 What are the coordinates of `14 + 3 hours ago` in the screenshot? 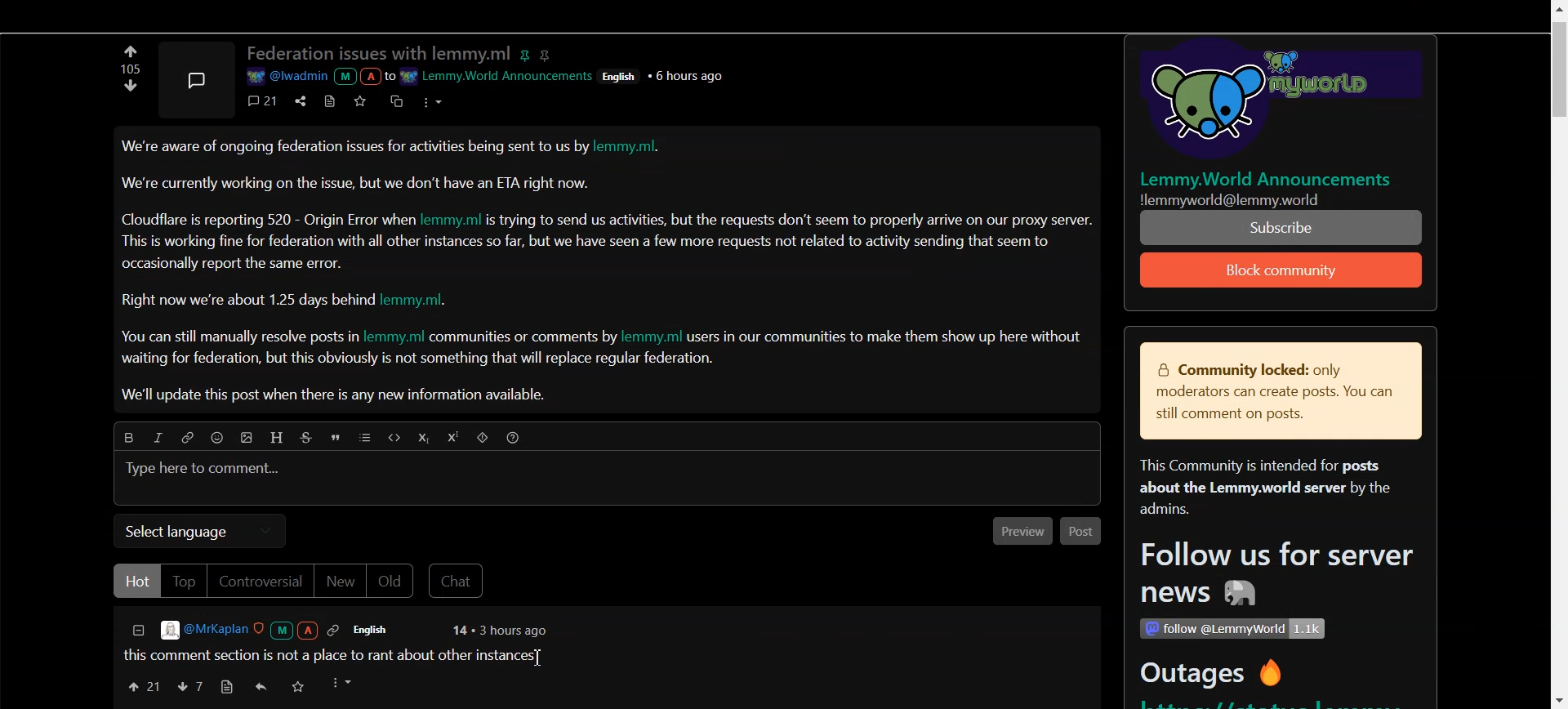 It's located at (497, 631).